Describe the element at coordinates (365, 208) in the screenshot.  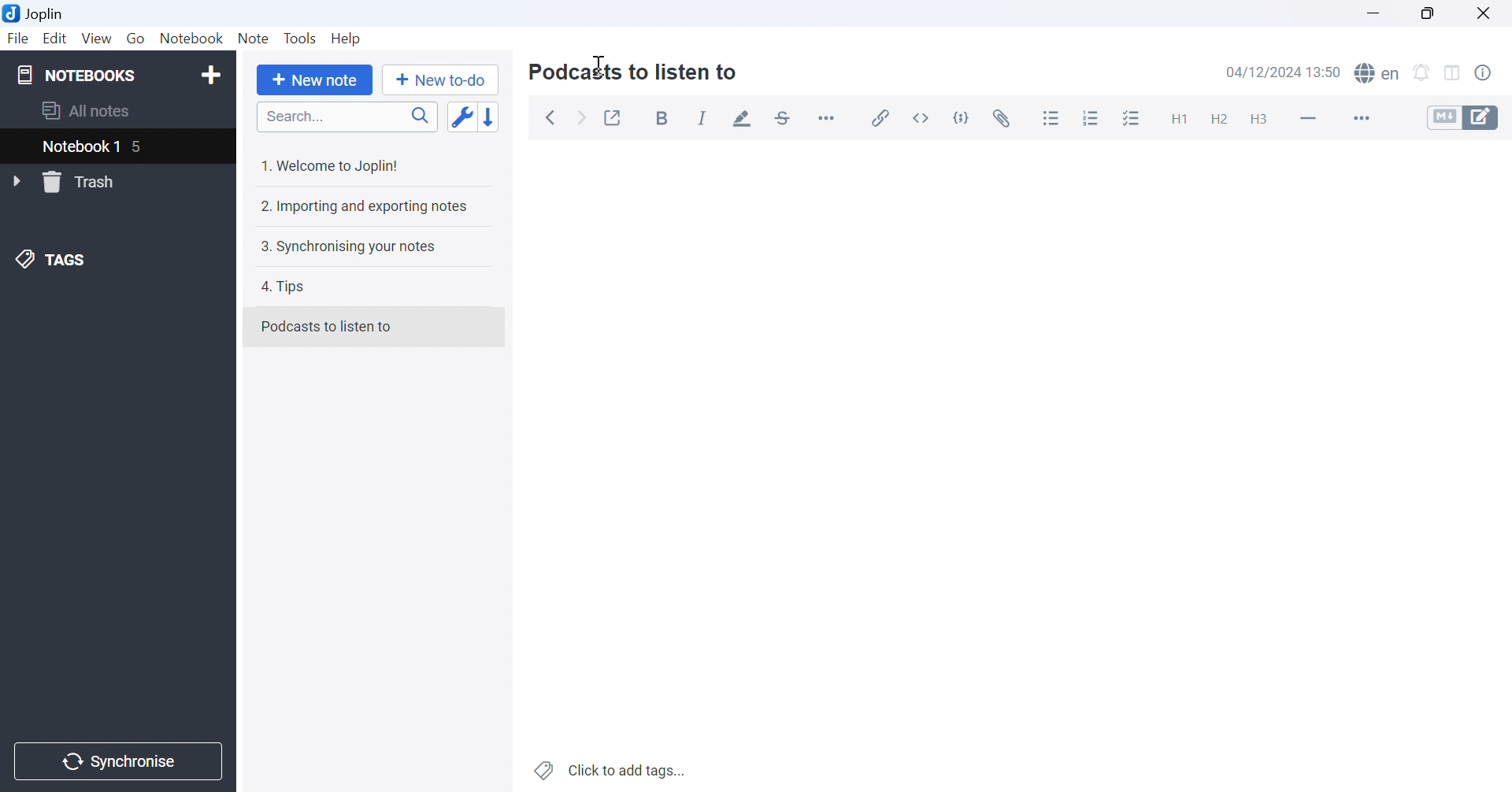
I see `2. Importing and exporting notes` at that location.